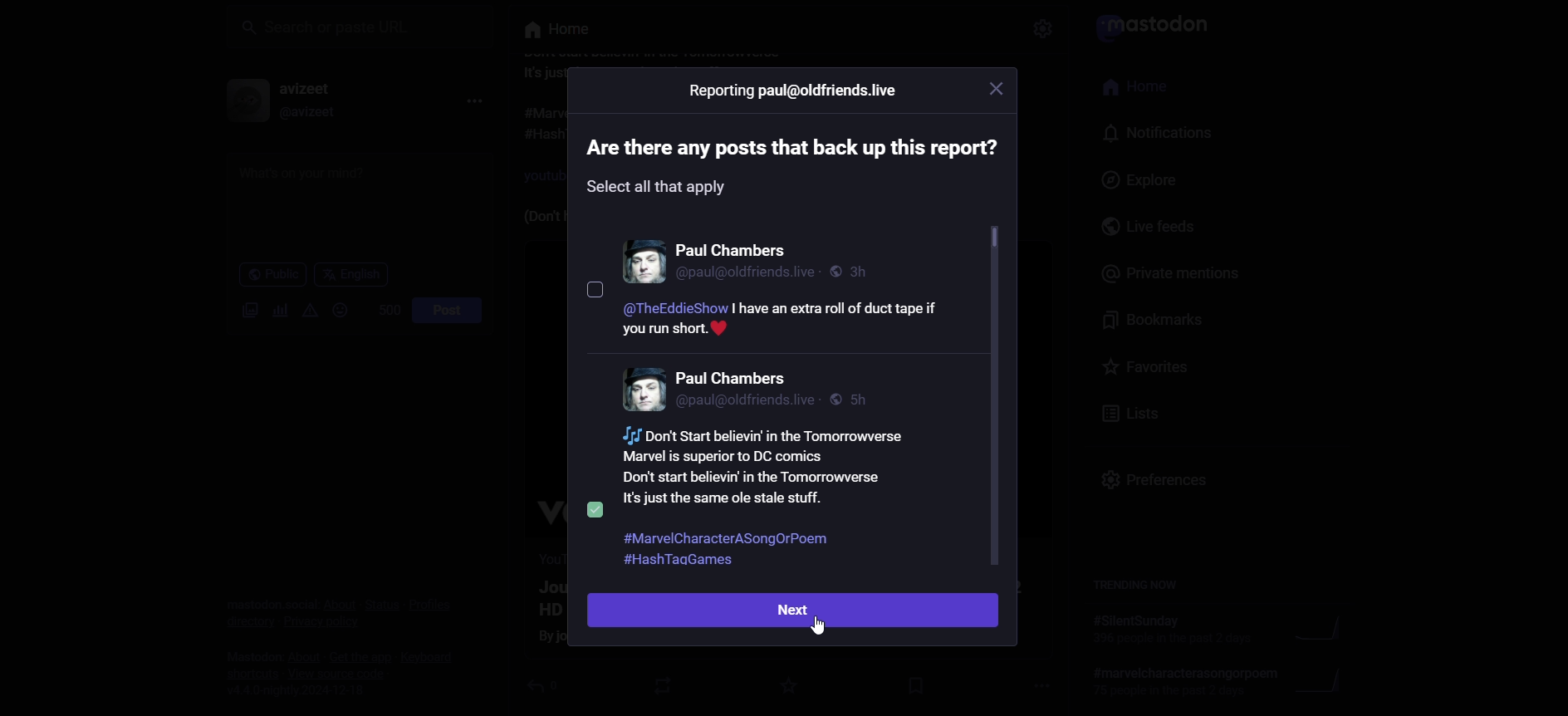 This screenshot has height=716, width=1568. I want to click on , so click(597, 508).